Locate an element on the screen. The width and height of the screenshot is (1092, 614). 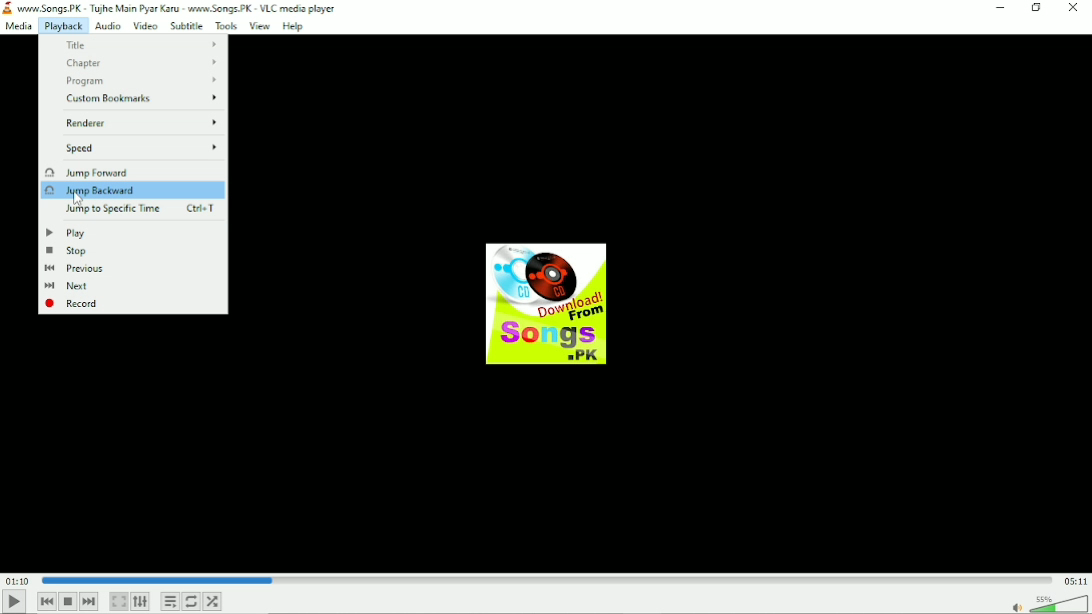
Renderer is located at coordinates (142, 122).